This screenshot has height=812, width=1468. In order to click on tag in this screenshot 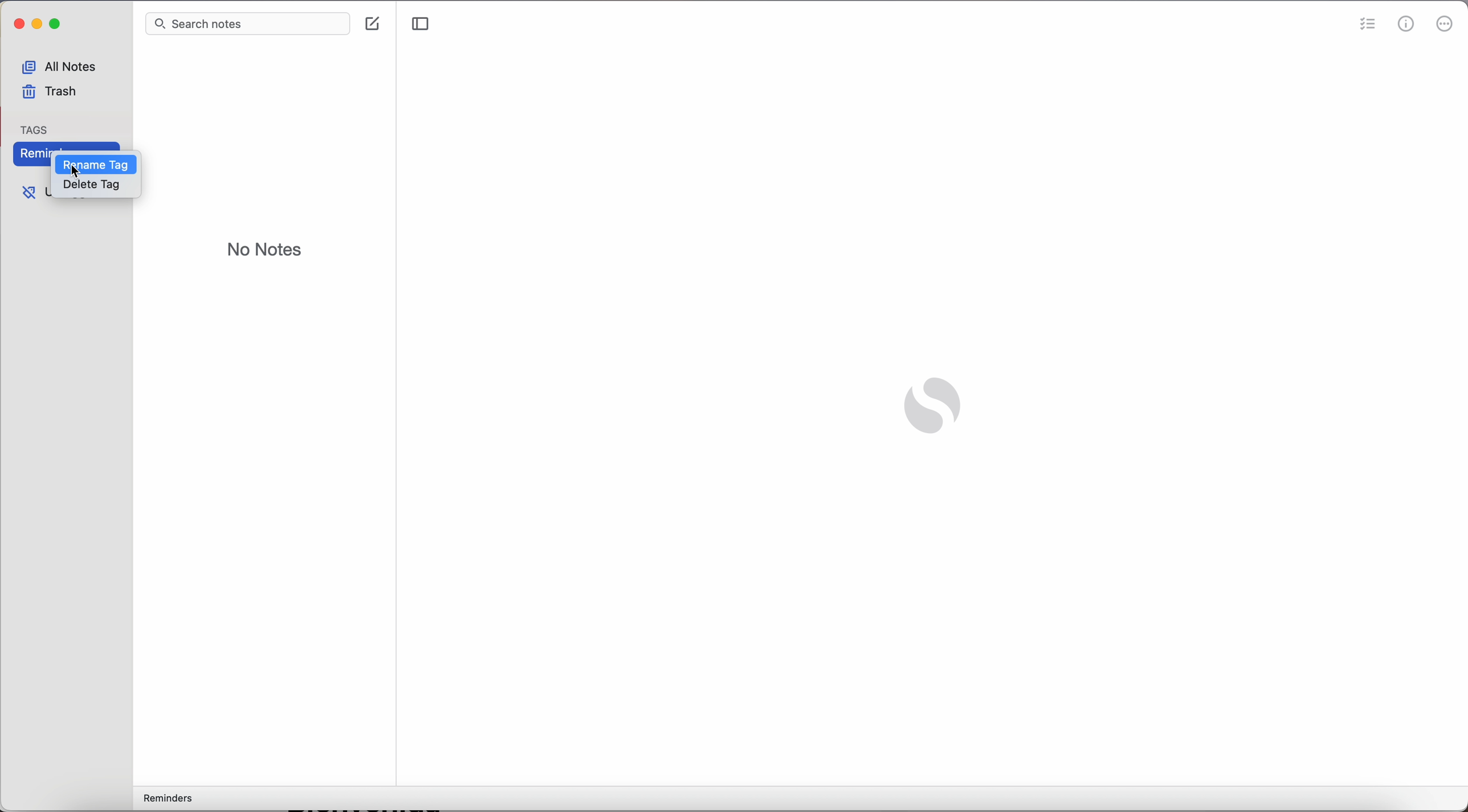, I will do `click(36, 126)`.